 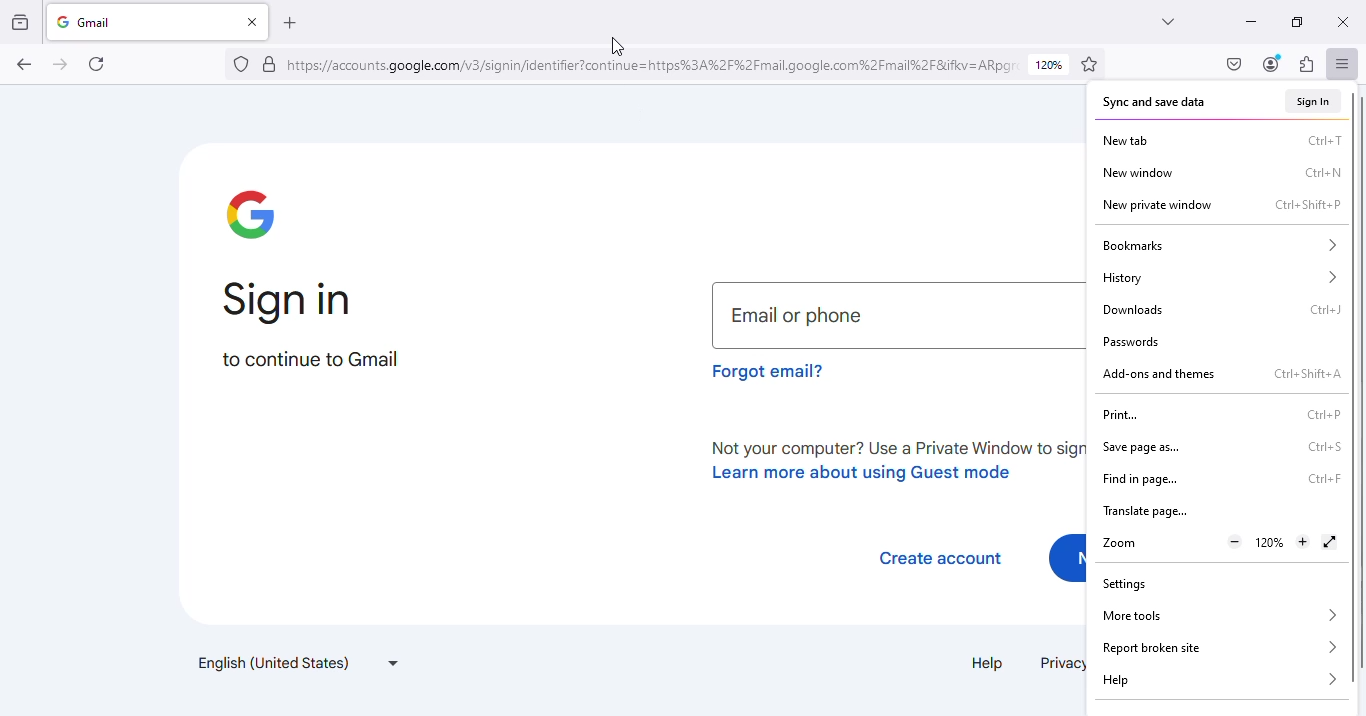 What do you see at coordinates (618, 47) in the screenshot?
I see `cursor` at bounding box center [618, 47].